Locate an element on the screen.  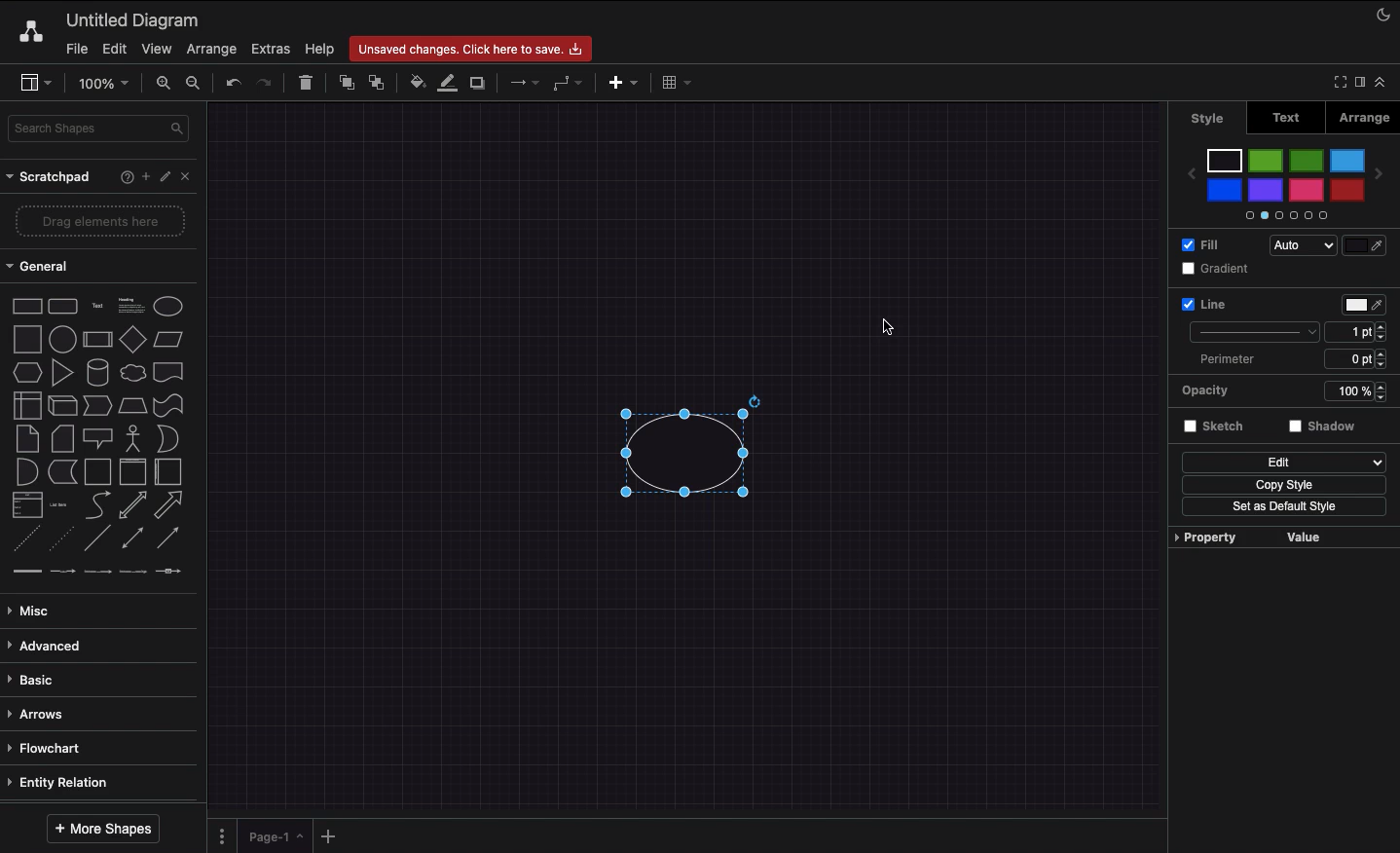
Square is located at coordinates (25, 339).